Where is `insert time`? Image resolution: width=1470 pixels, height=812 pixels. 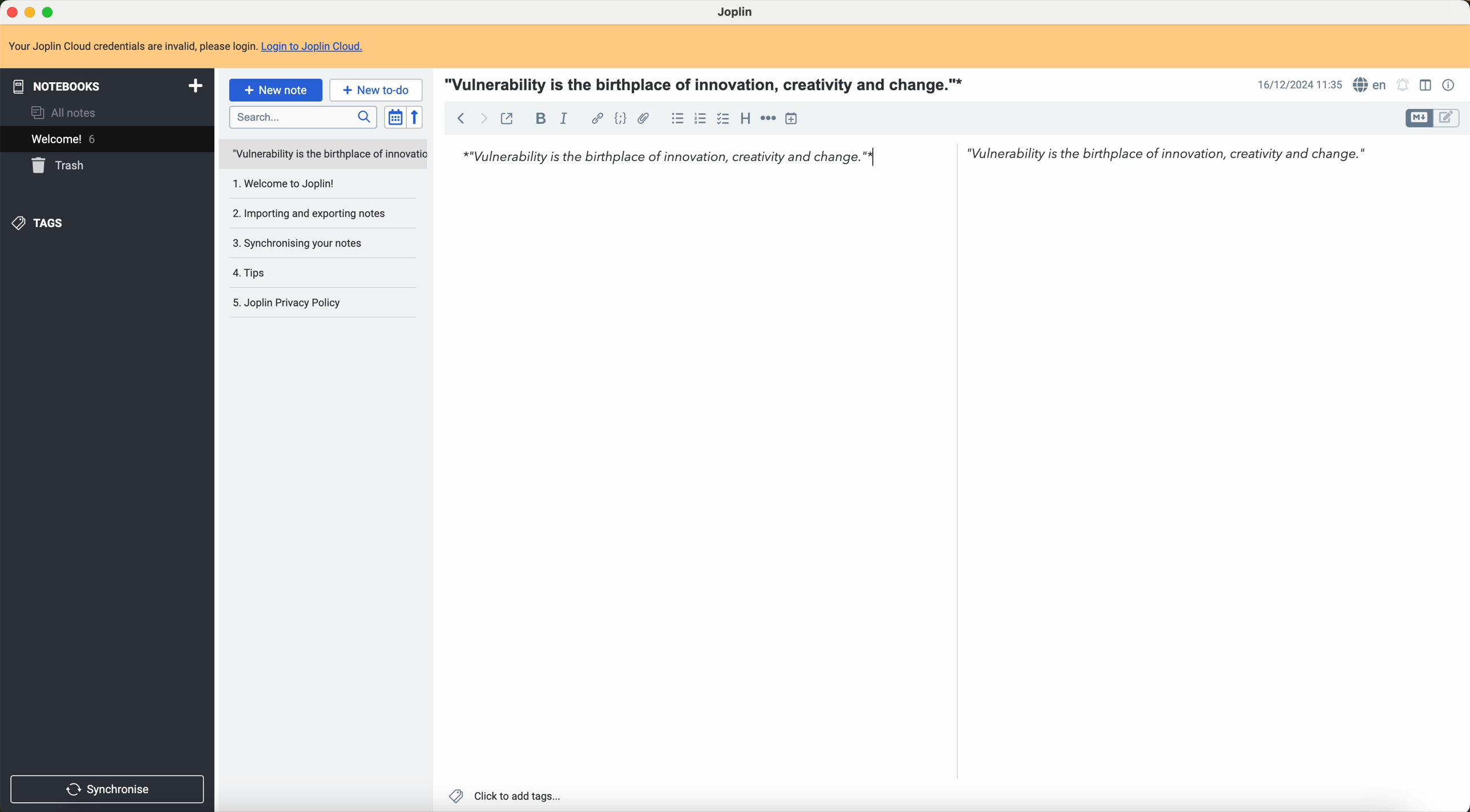 insert time is located at coordinates (797, 118).